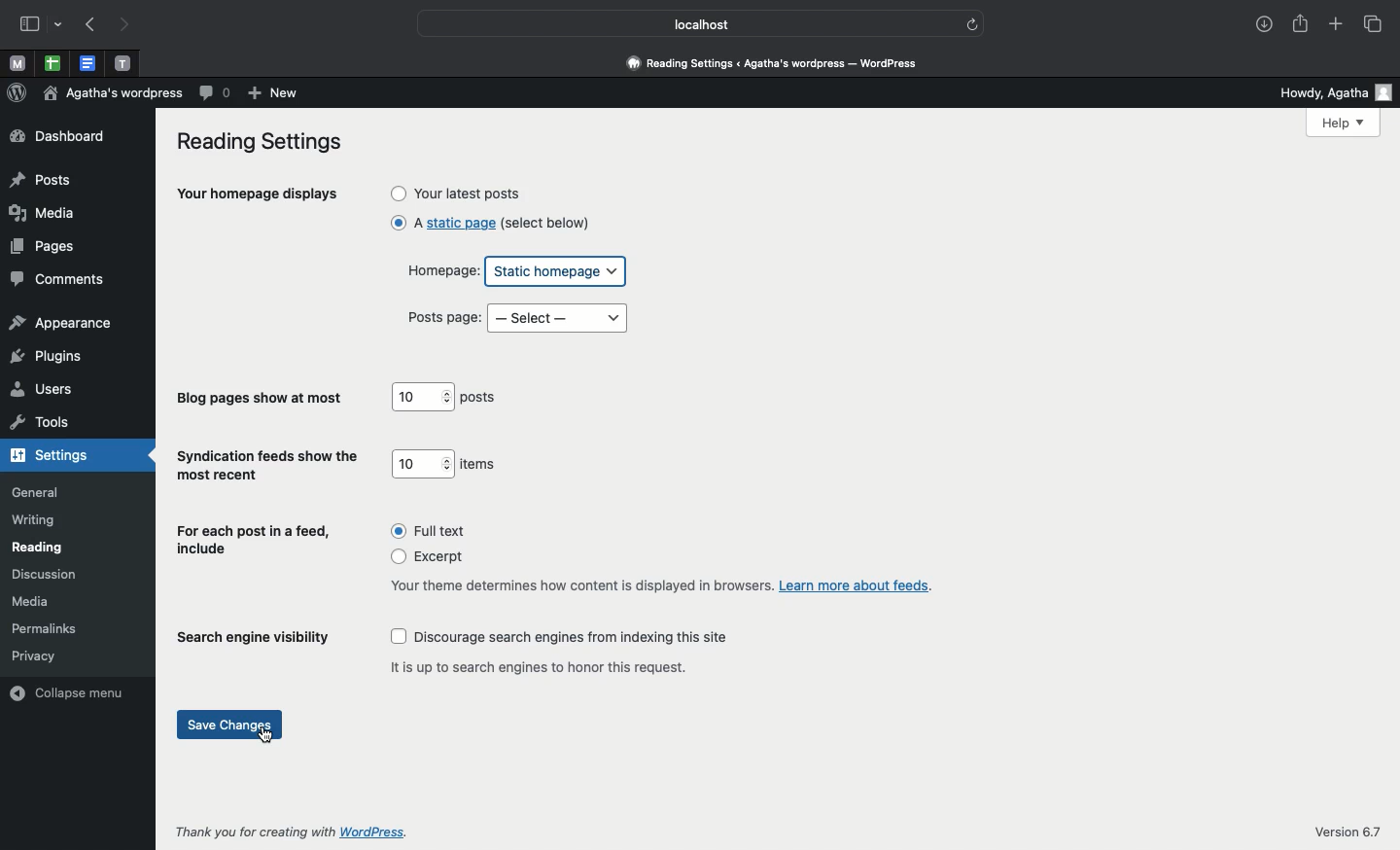 The image size is (1400, 850). Describe the element at coordinates (31, 23) in the screenshot. I see `Sidebar` at that location.